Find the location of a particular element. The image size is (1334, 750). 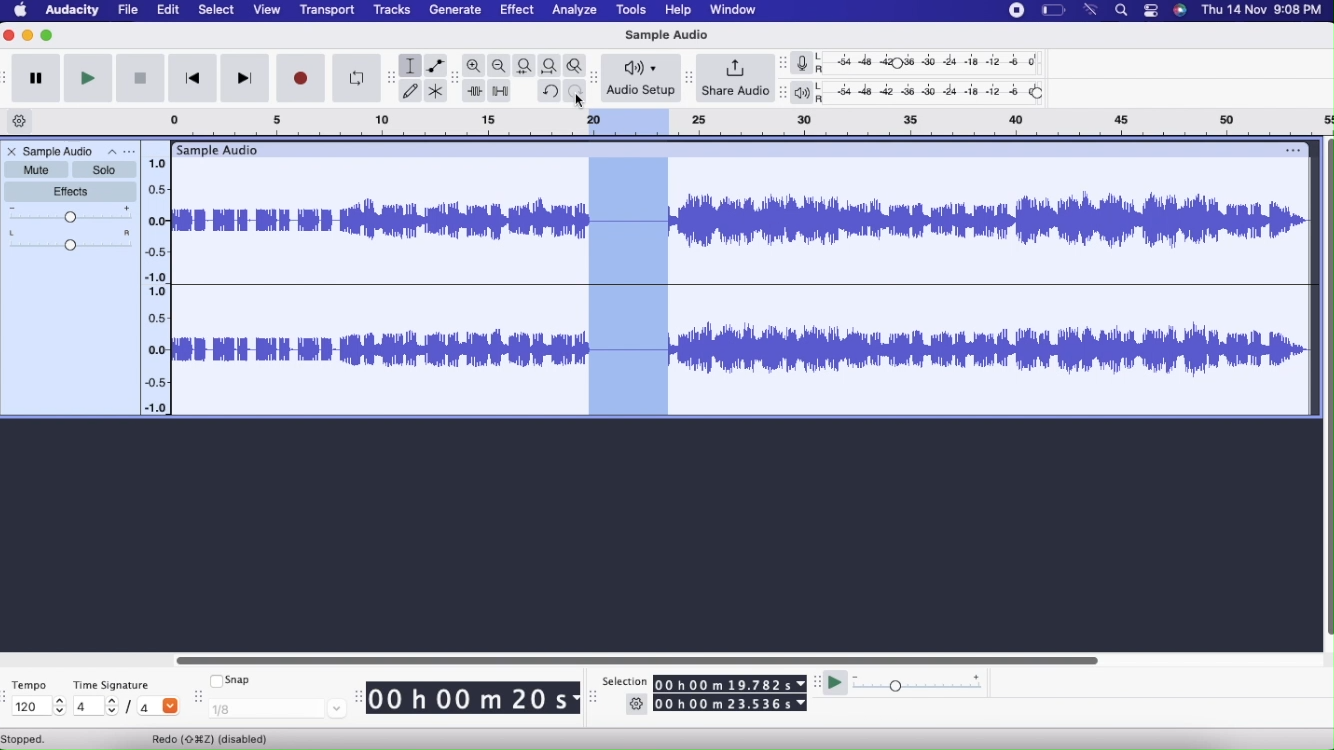

Play at speed is located at coordinates (835, 682).